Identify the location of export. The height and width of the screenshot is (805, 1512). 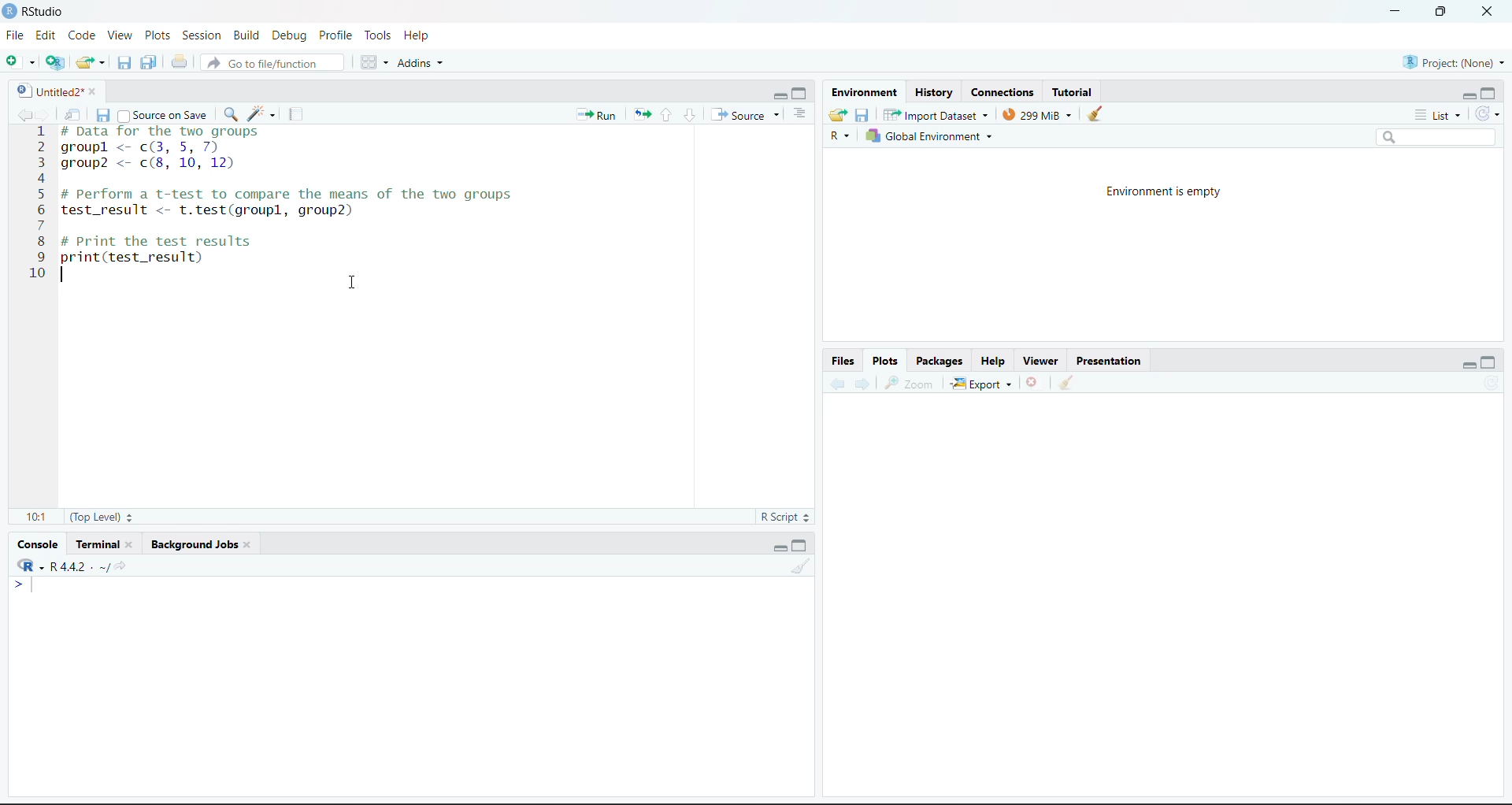
(983, 383).